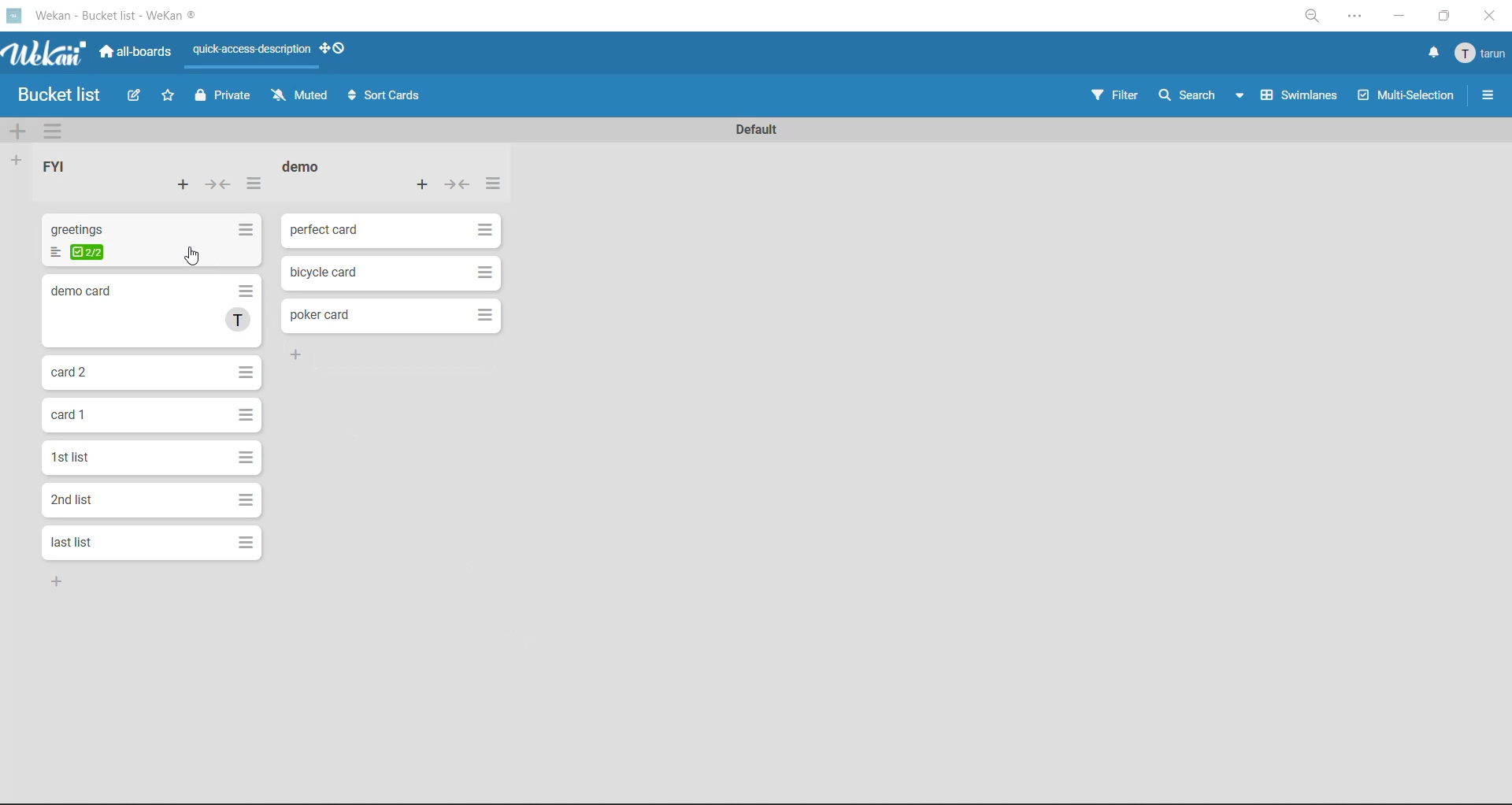  I want to click on swimlane actions, so click(59, 131).